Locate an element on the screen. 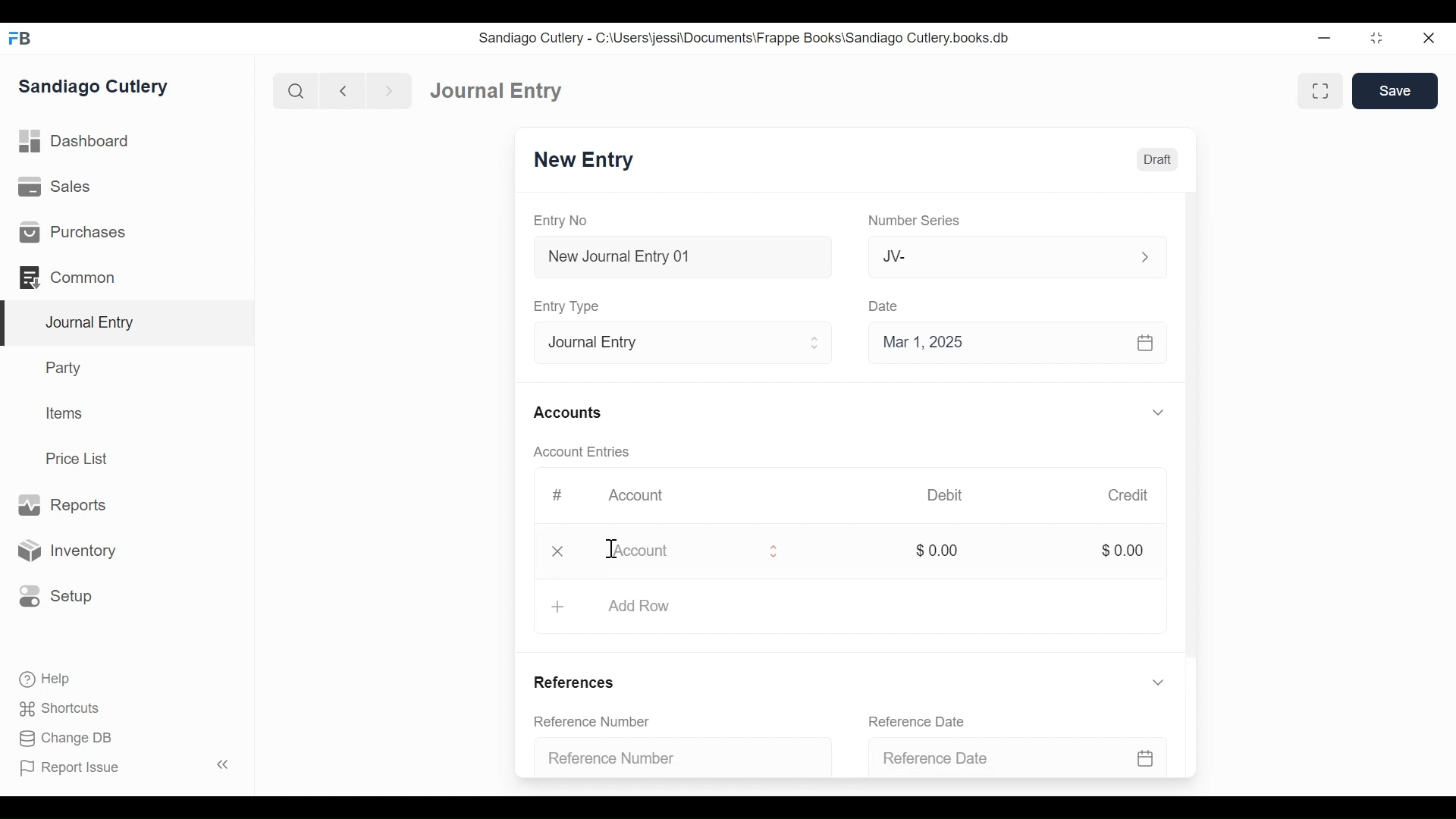  Dashboard is located at coordinates (491, 89).